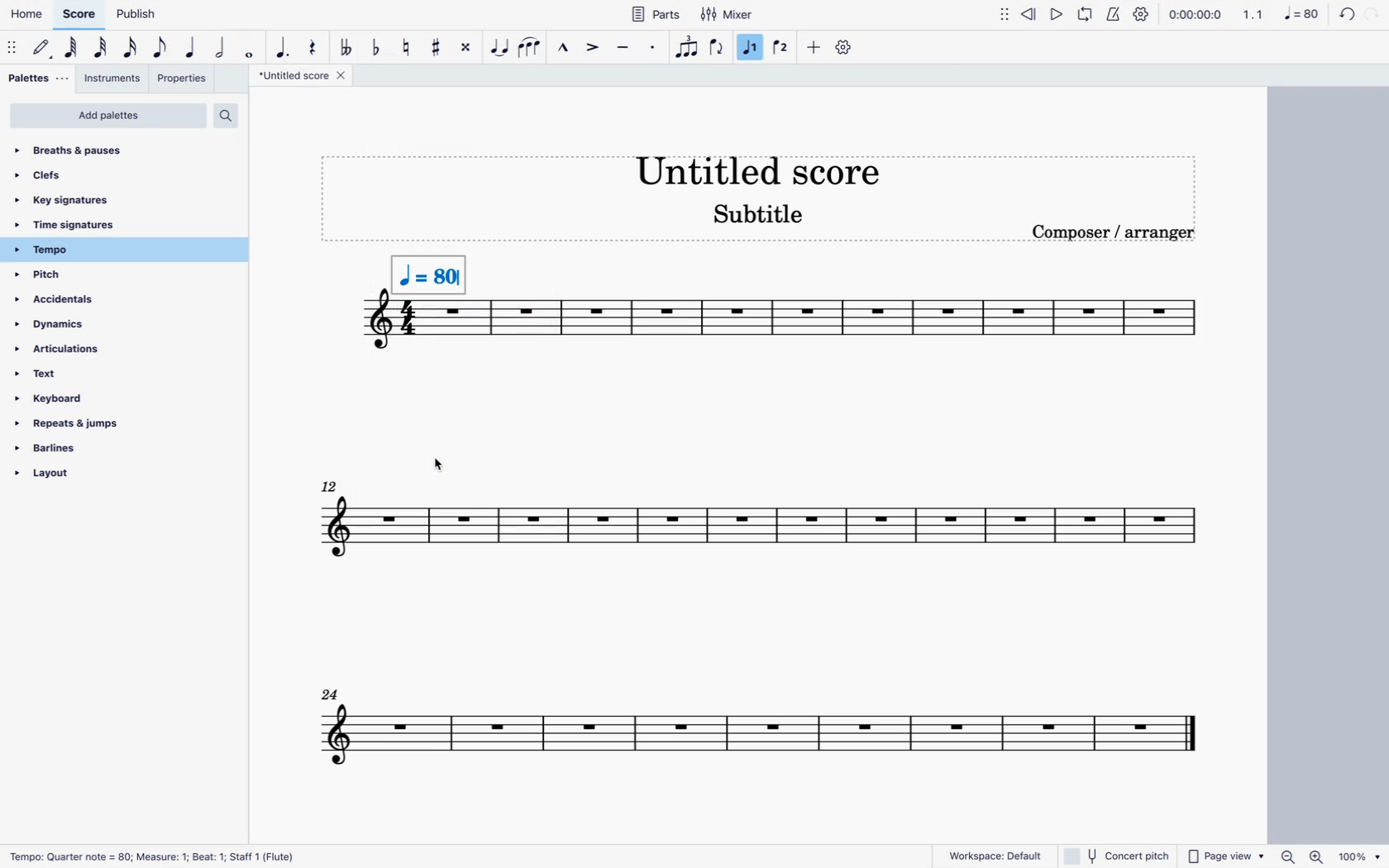  I want to click on tempo, so click(427, 266).